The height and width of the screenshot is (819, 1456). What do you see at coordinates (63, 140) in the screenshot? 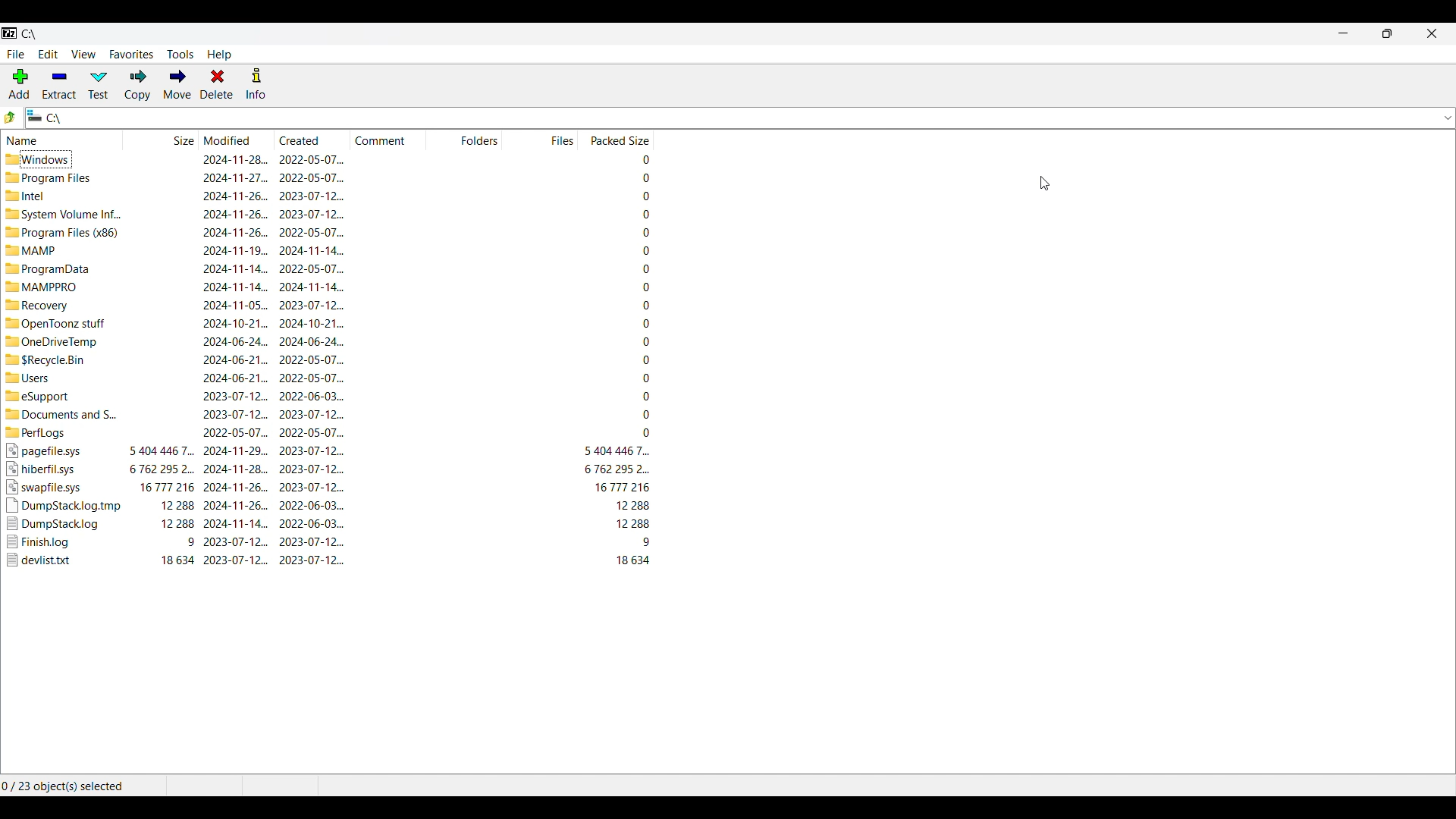
I see `Name column` at bounding box center [63, 140].